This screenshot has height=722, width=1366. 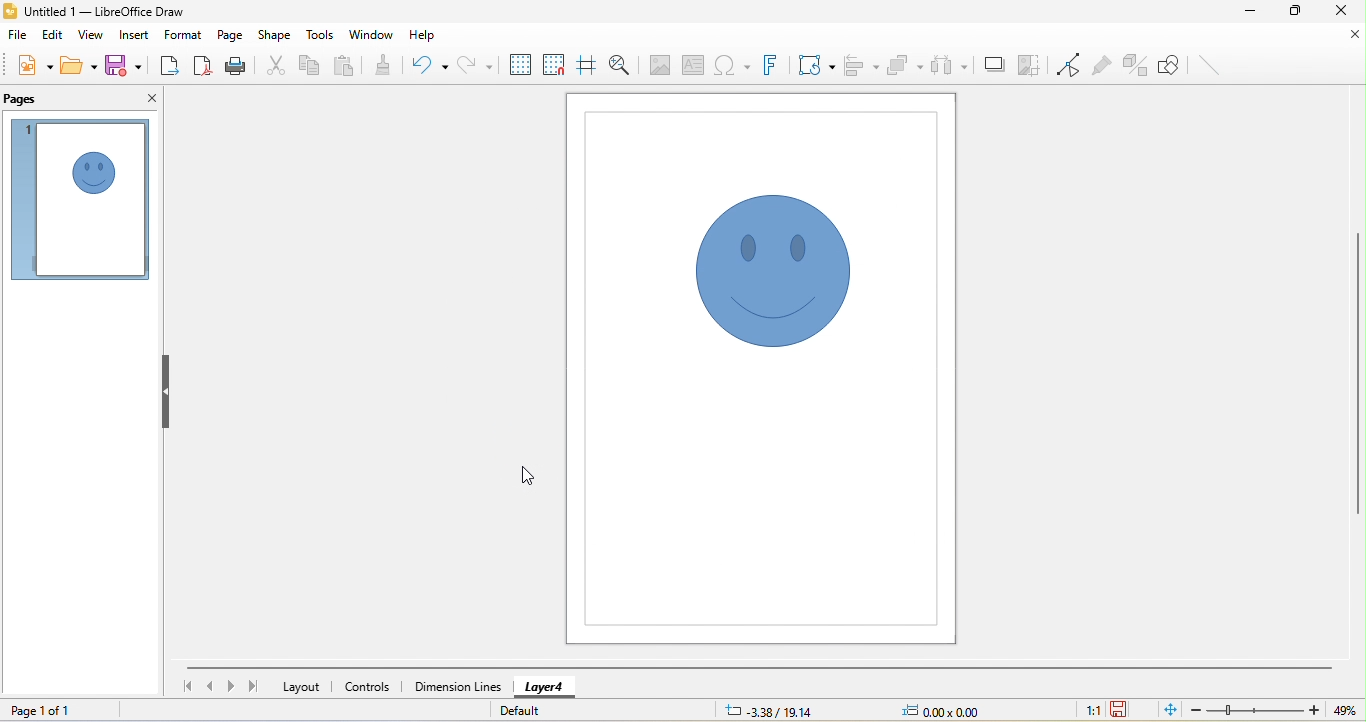 What do you see at coordinates (906, 65) in the screenshot?
I see `arrange` at bounding box center [906, 65].